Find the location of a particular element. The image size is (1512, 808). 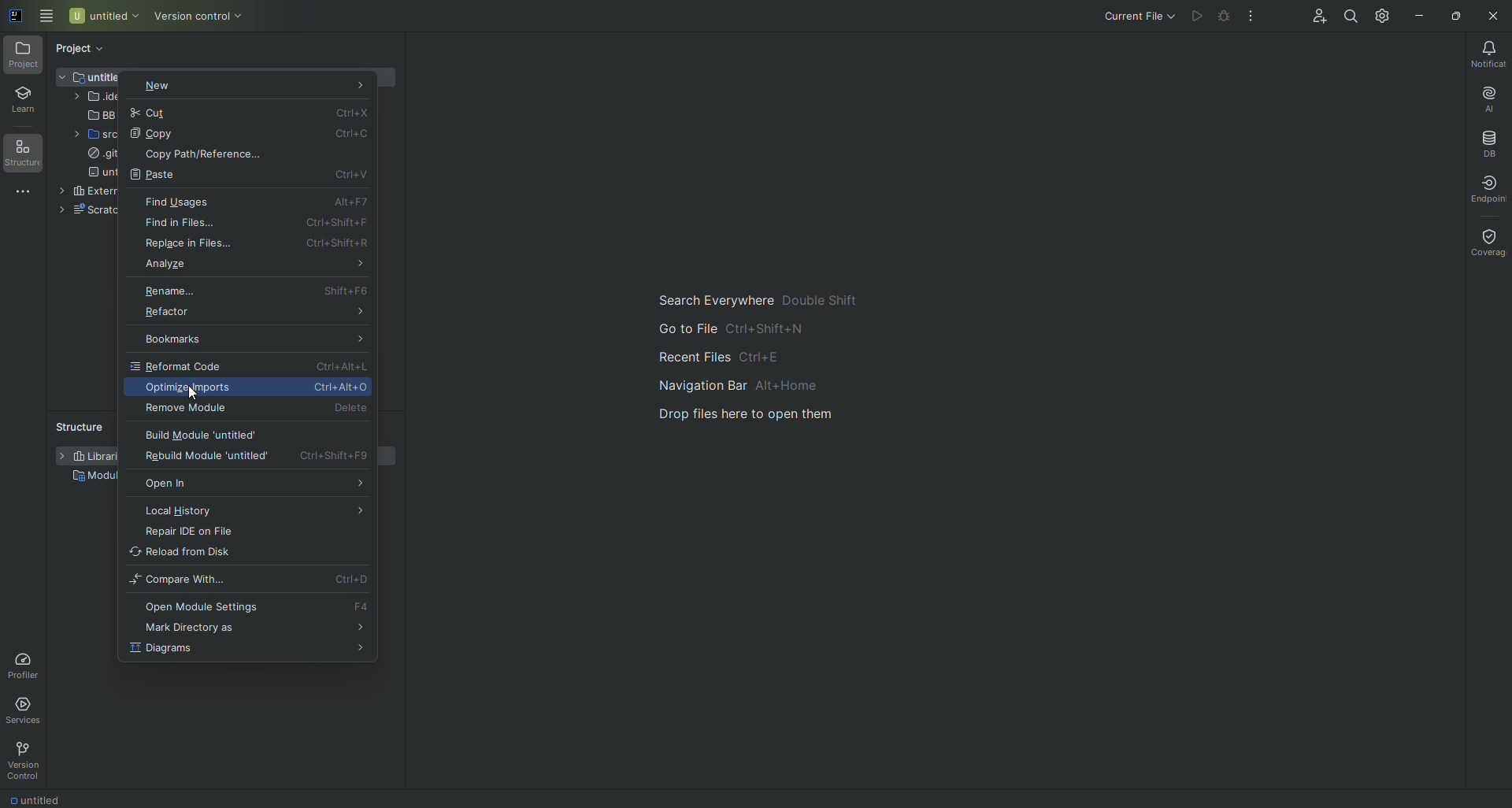

External Libraries is located at coordinates (93, 191).